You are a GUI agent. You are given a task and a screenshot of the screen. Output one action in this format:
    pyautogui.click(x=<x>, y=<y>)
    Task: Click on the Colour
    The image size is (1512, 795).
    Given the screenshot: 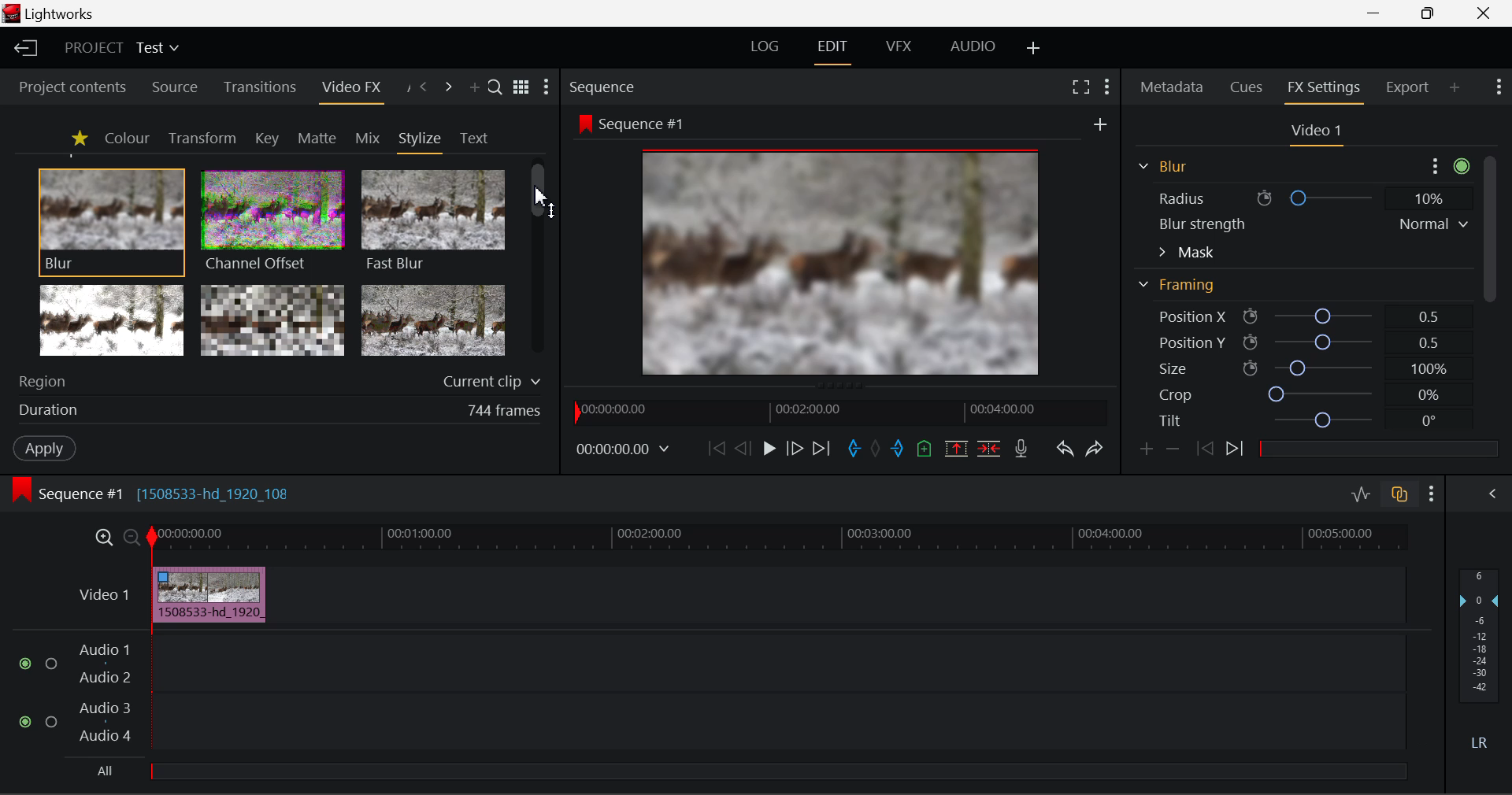 What is the action you would take?
    pyautogui.click(x=126, y=138)
    